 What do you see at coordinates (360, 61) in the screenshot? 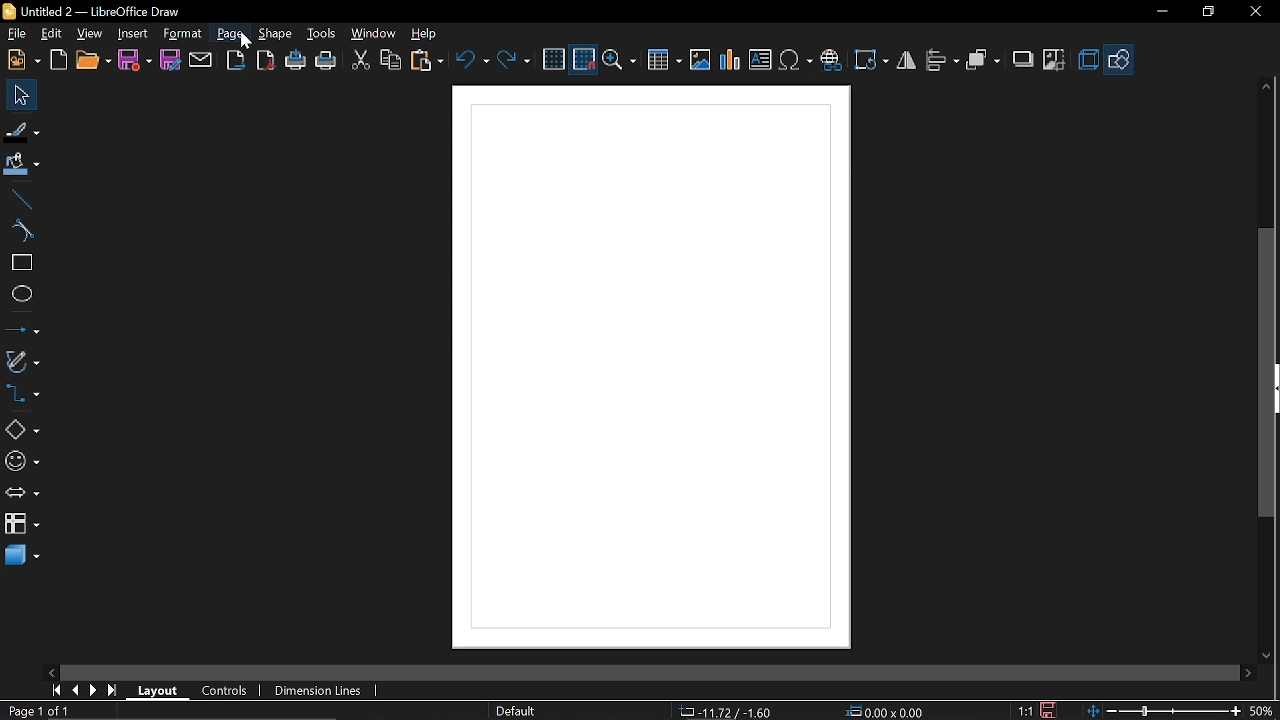
I see `Cut ` at bounding box center [360, 61].